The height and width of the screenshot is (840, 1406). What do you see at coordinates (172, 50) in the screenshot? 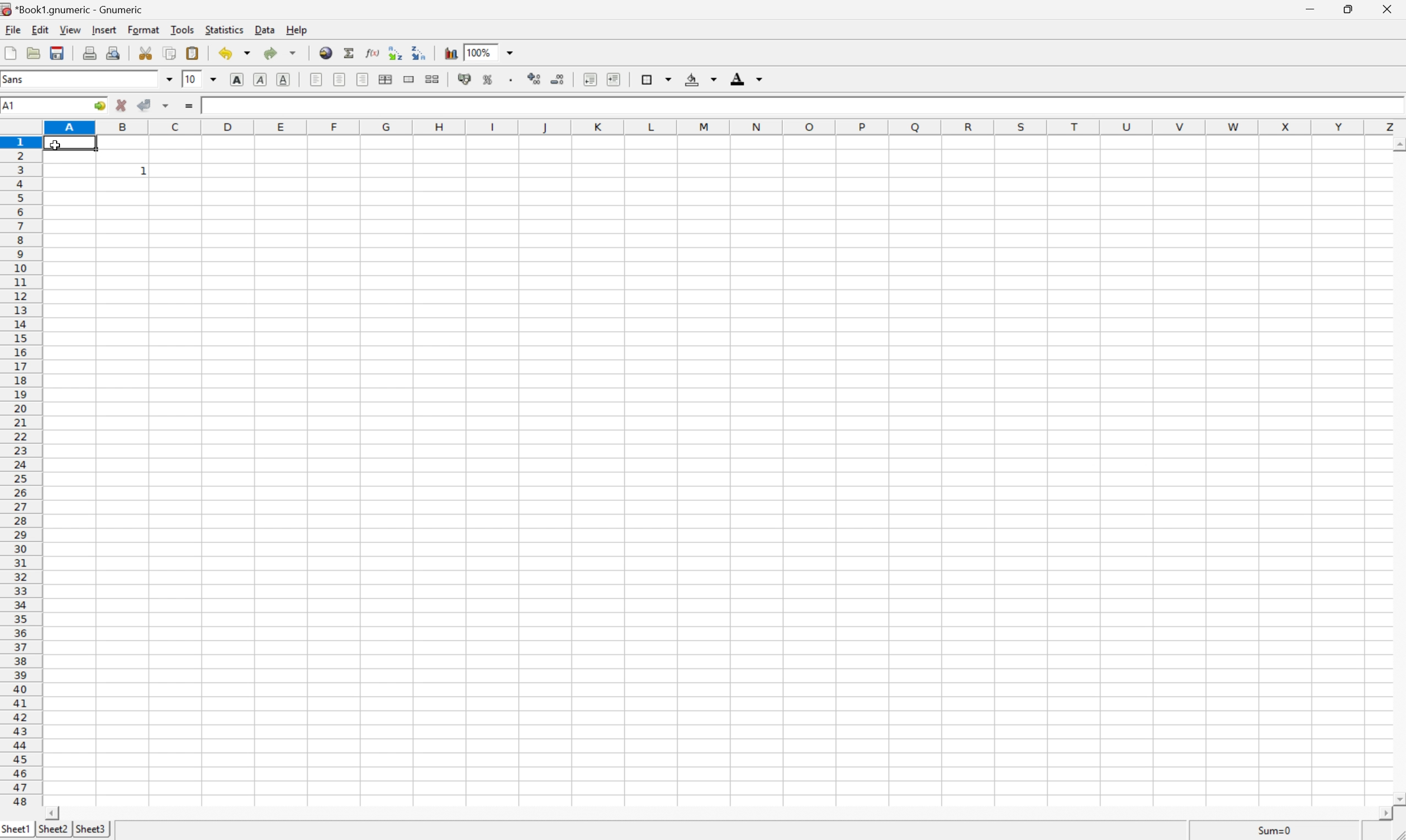
I see `copy` at bounding box center [172, 50].